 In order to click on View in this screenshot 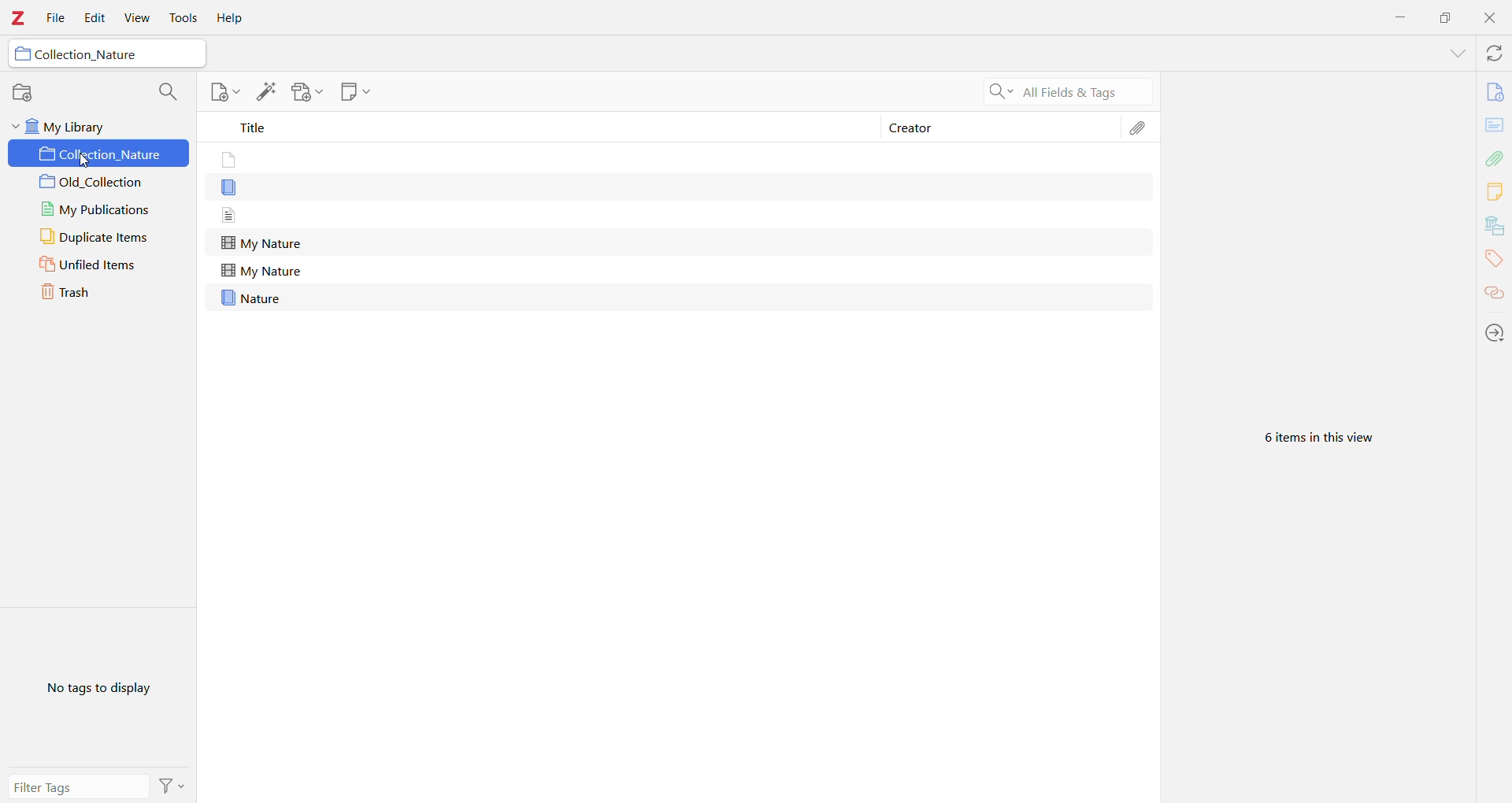, I will do `click(137, 19)`.